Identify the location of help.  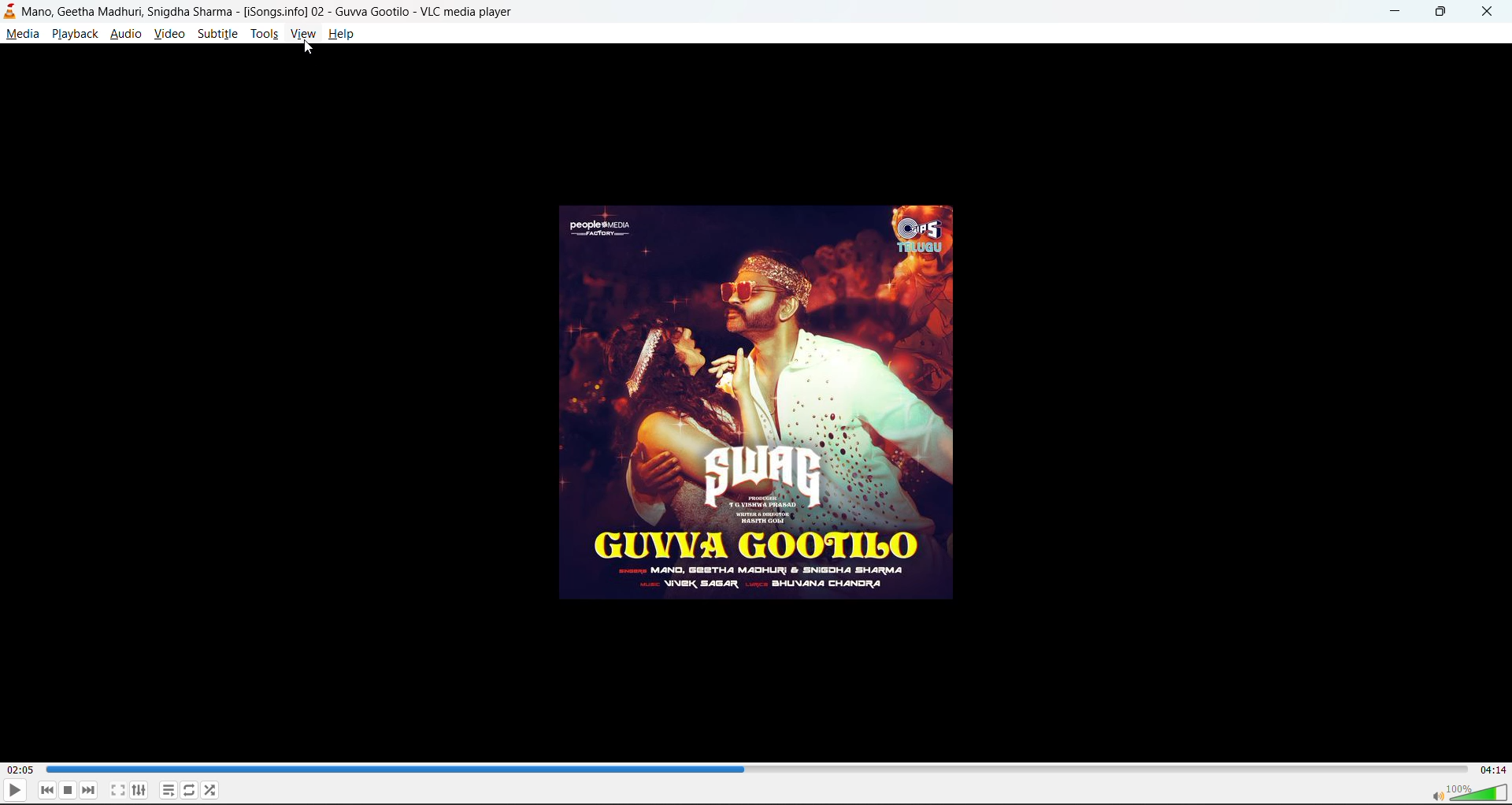
(341, 33).